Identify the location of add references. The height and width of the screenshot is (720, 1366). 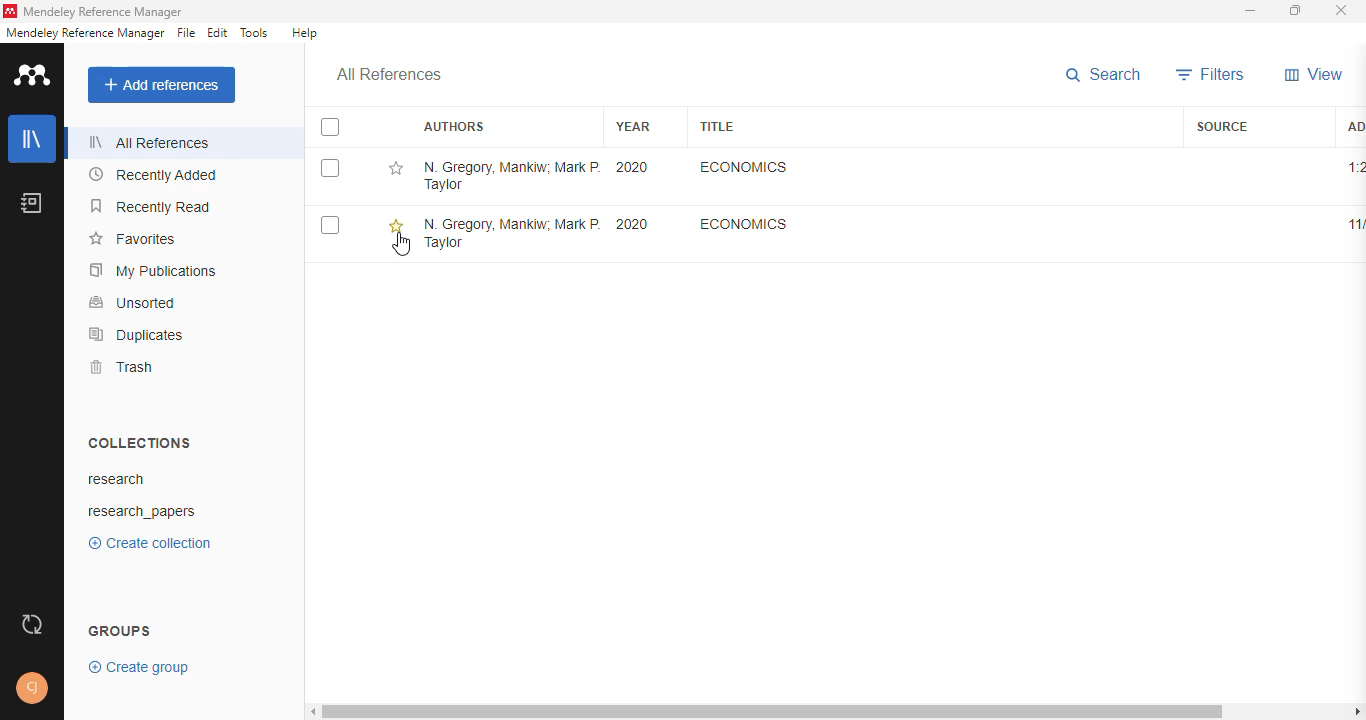
(162, 85).